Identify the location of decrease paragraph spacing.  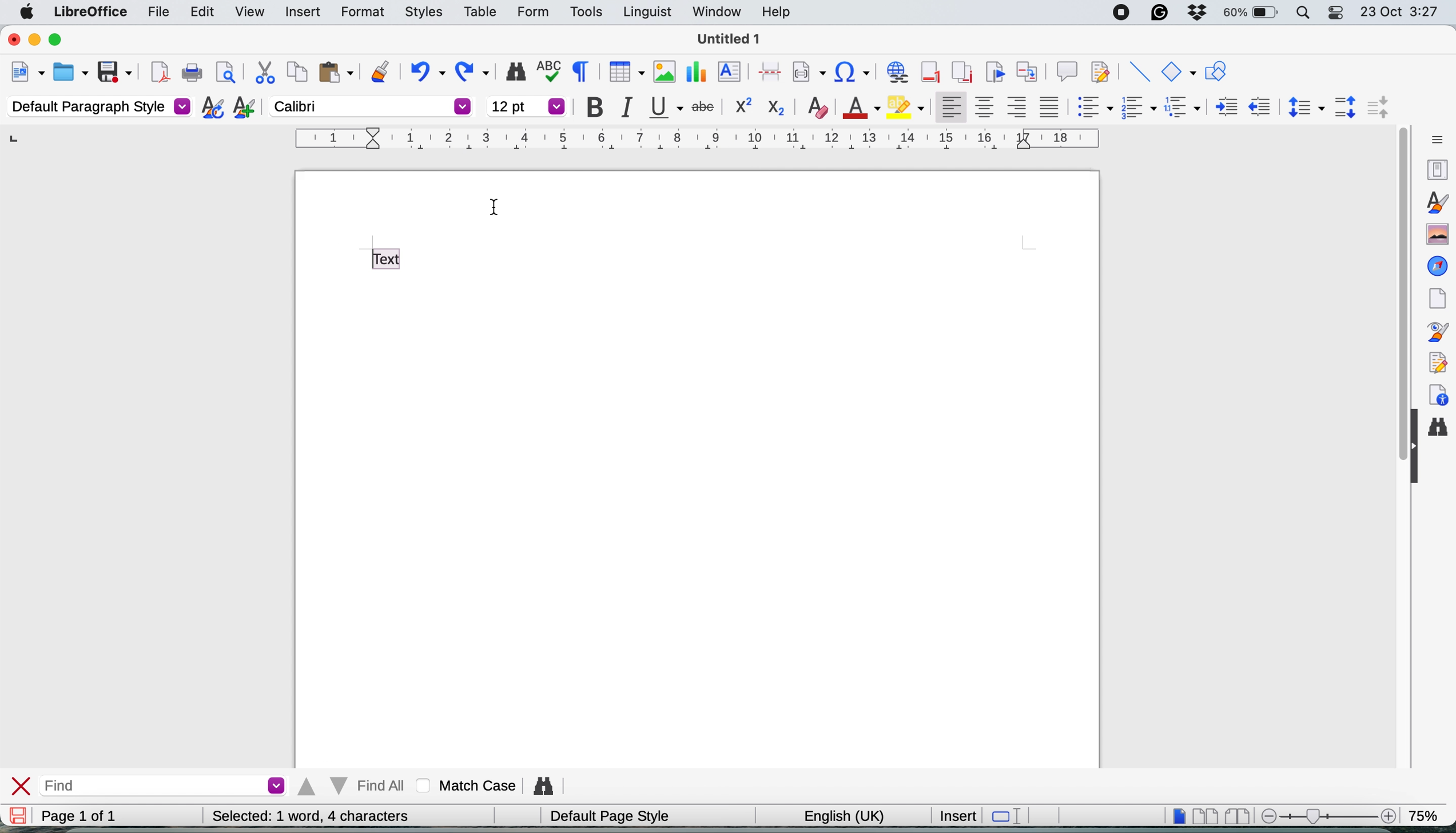
(1380, 108).